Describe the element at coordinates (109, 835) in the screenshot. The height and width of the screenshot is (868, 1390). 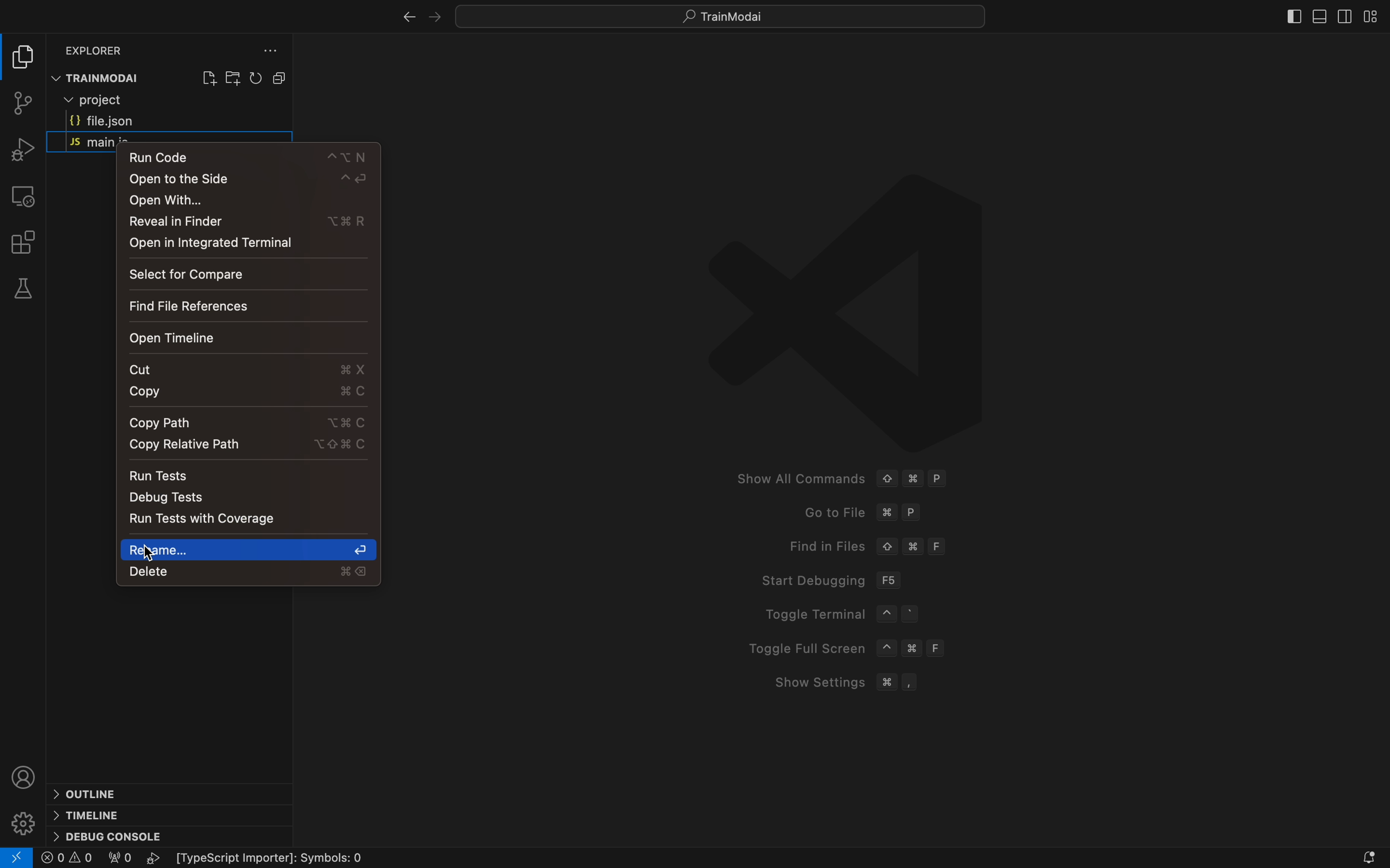
I see `debug console` at that location.